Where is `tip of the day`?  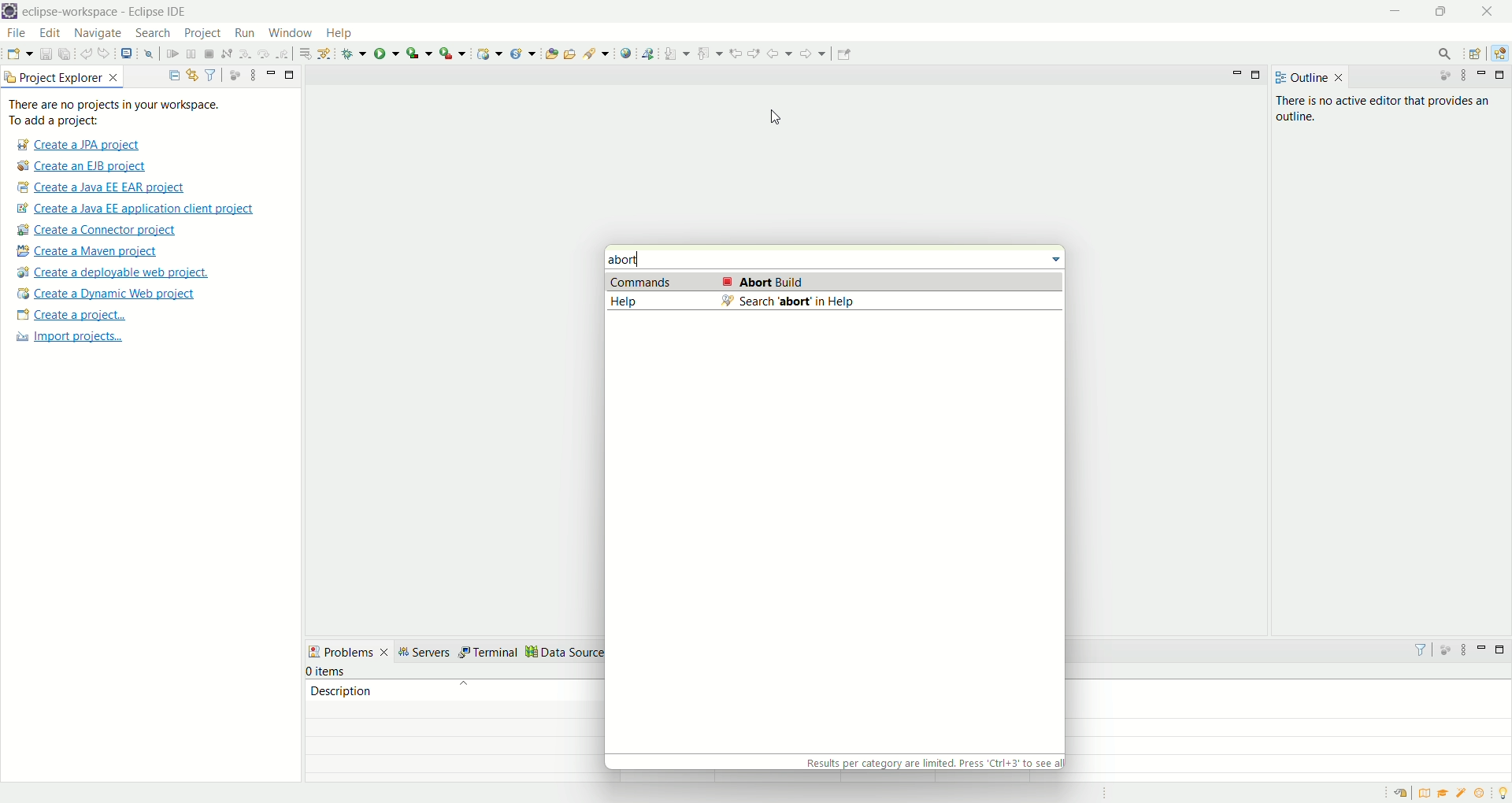
tip of the day is located at coordinates (1503, 793).